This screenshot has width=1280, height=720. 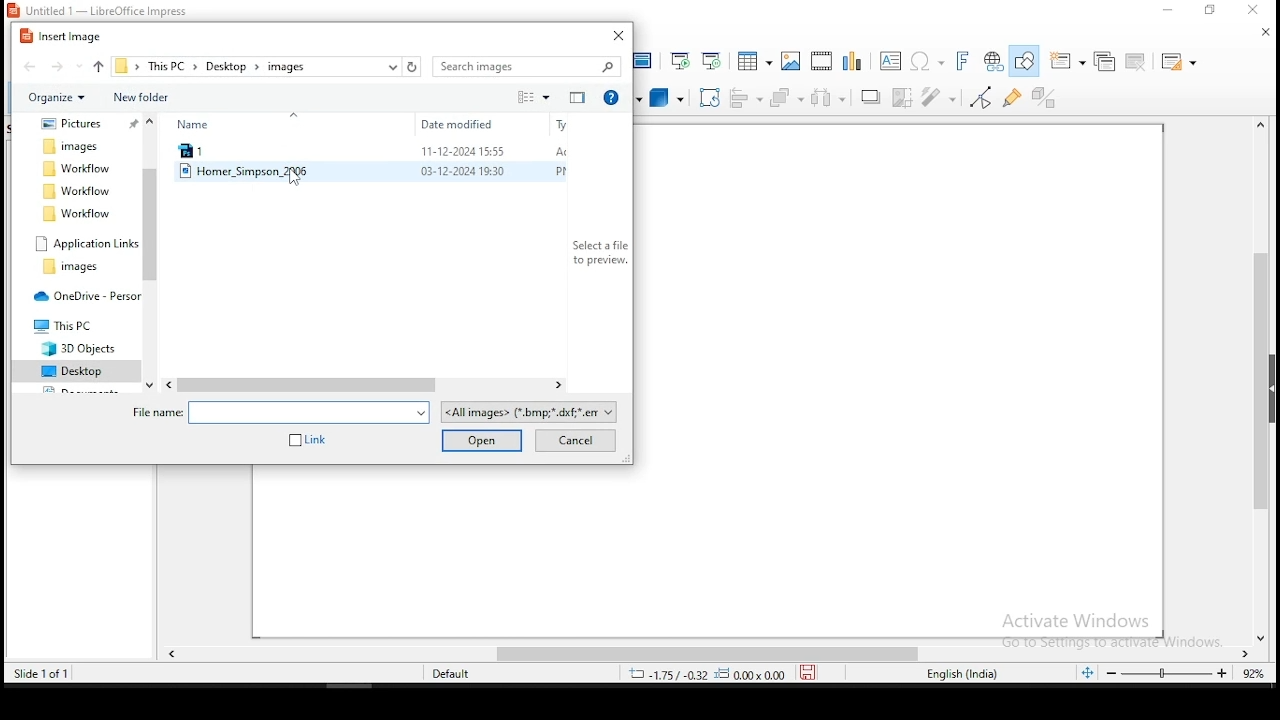 What do you see at coordinates (199, 124) in the screenshot?
I see `name` at bounding box center [199, 124].